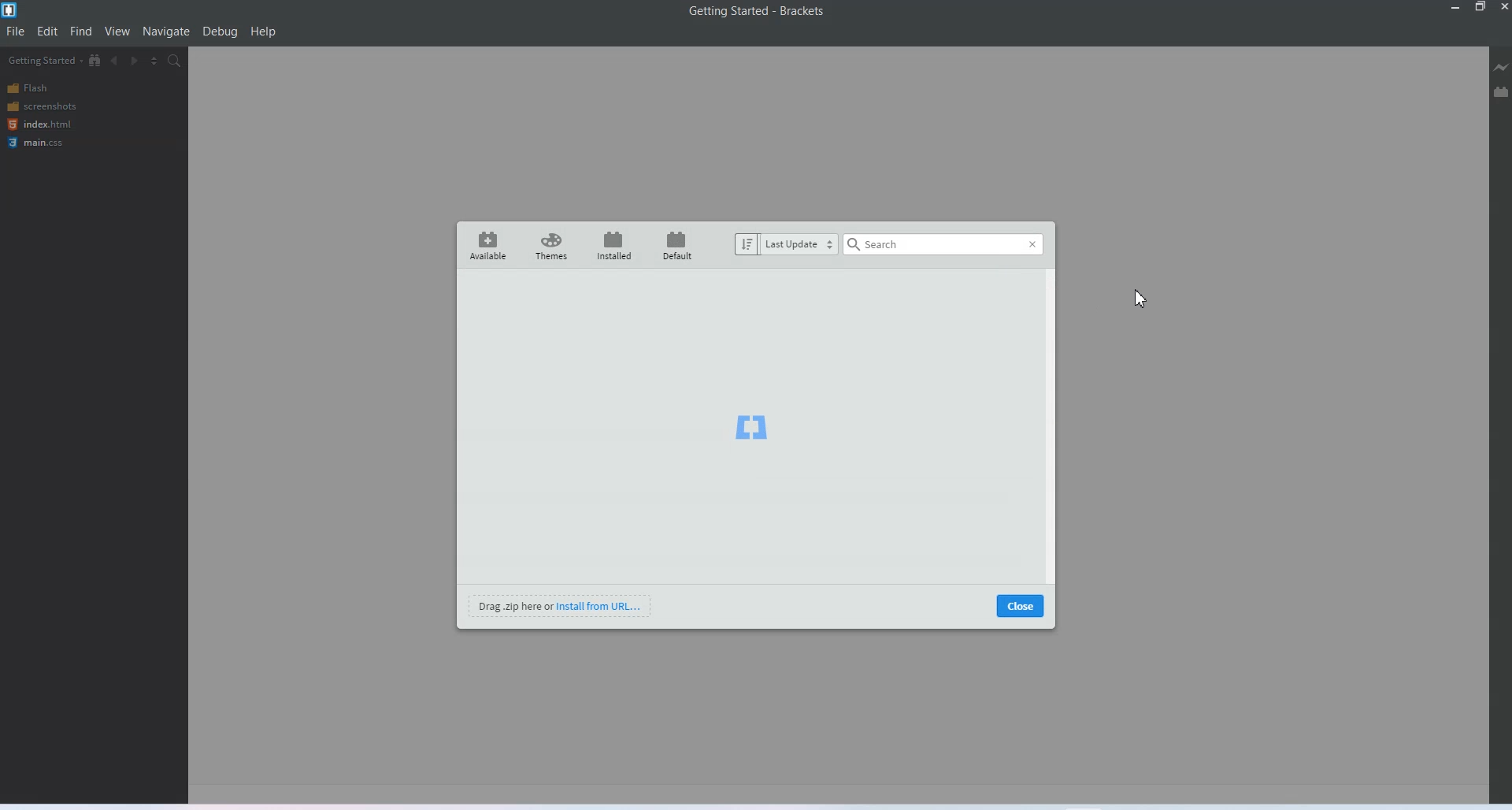 The image size is (1512, 810). I want to click on index.html, so click(39, 124).